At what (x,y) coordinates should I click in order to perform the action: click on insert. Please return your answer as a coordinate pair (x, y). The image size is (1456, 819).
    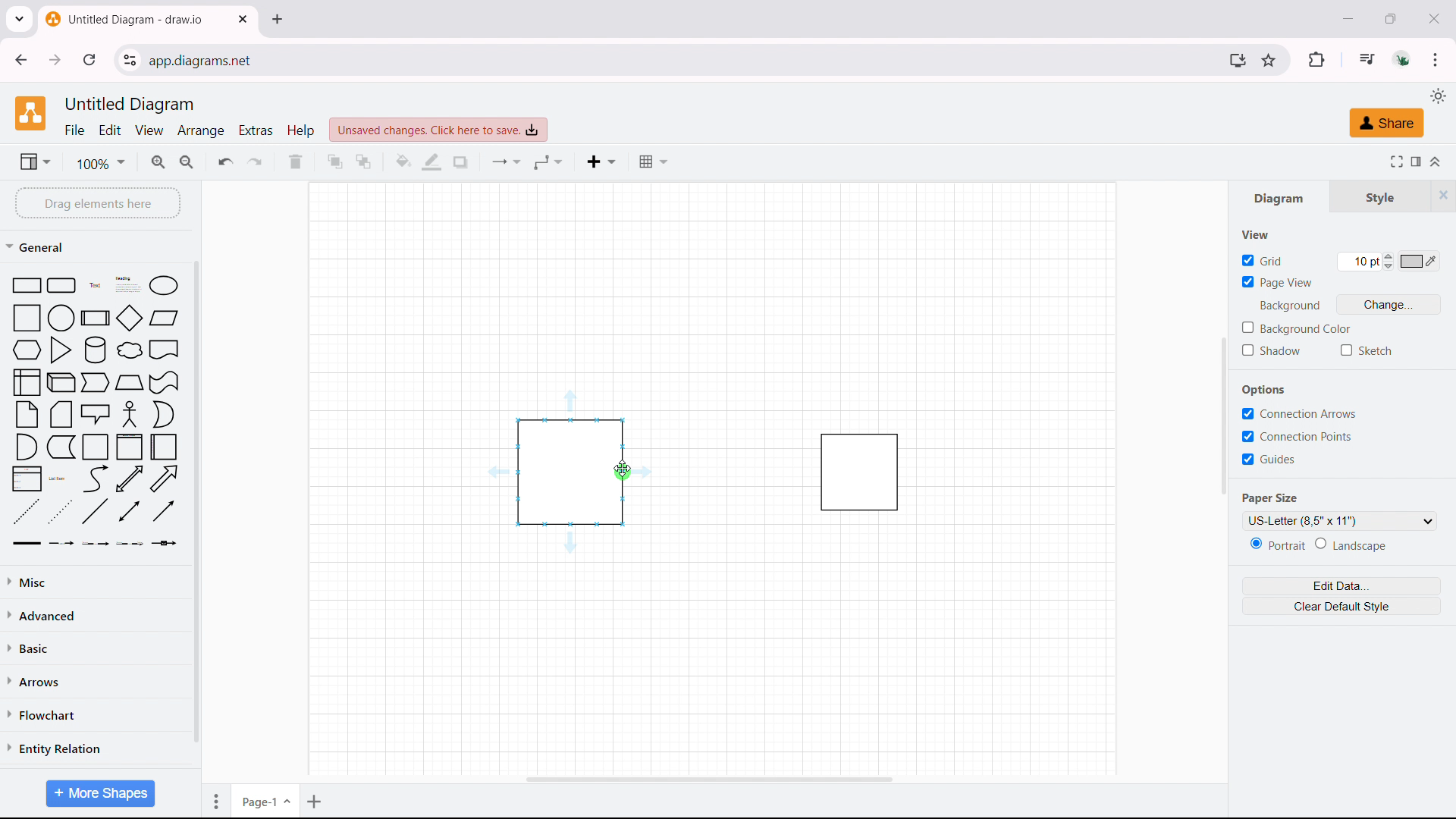
    Looking at the image, I should click on (601, 162).